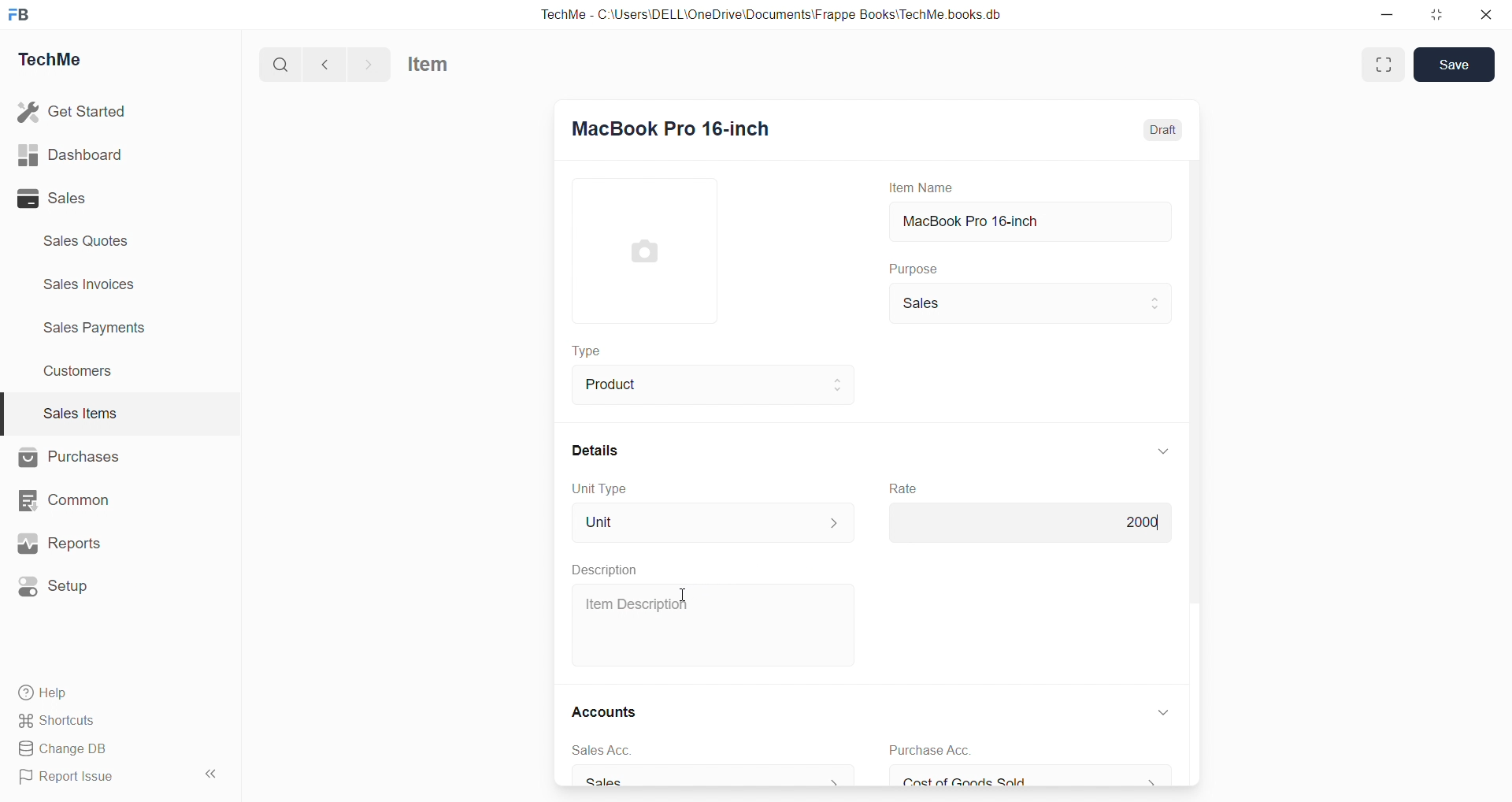  Describe the element at coordinates (773, 14) in the screenshot. I see `TechMe - C:\Users\DELL\OneDrive\Documents\Frappe Books\TechMe books.db` at that location.